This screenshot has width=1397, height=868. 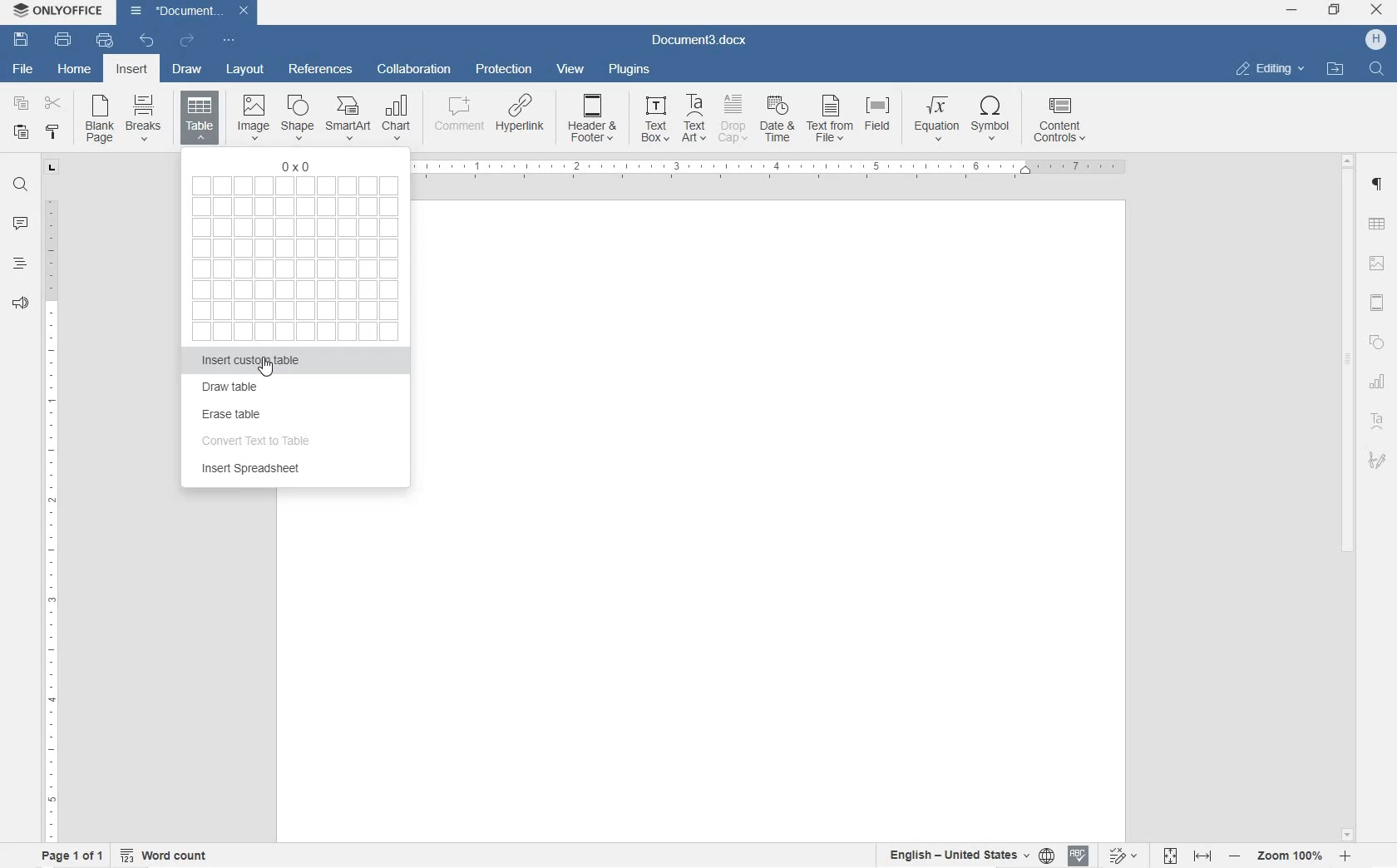 I want to click on open file location, so click(x=1335, y=70).